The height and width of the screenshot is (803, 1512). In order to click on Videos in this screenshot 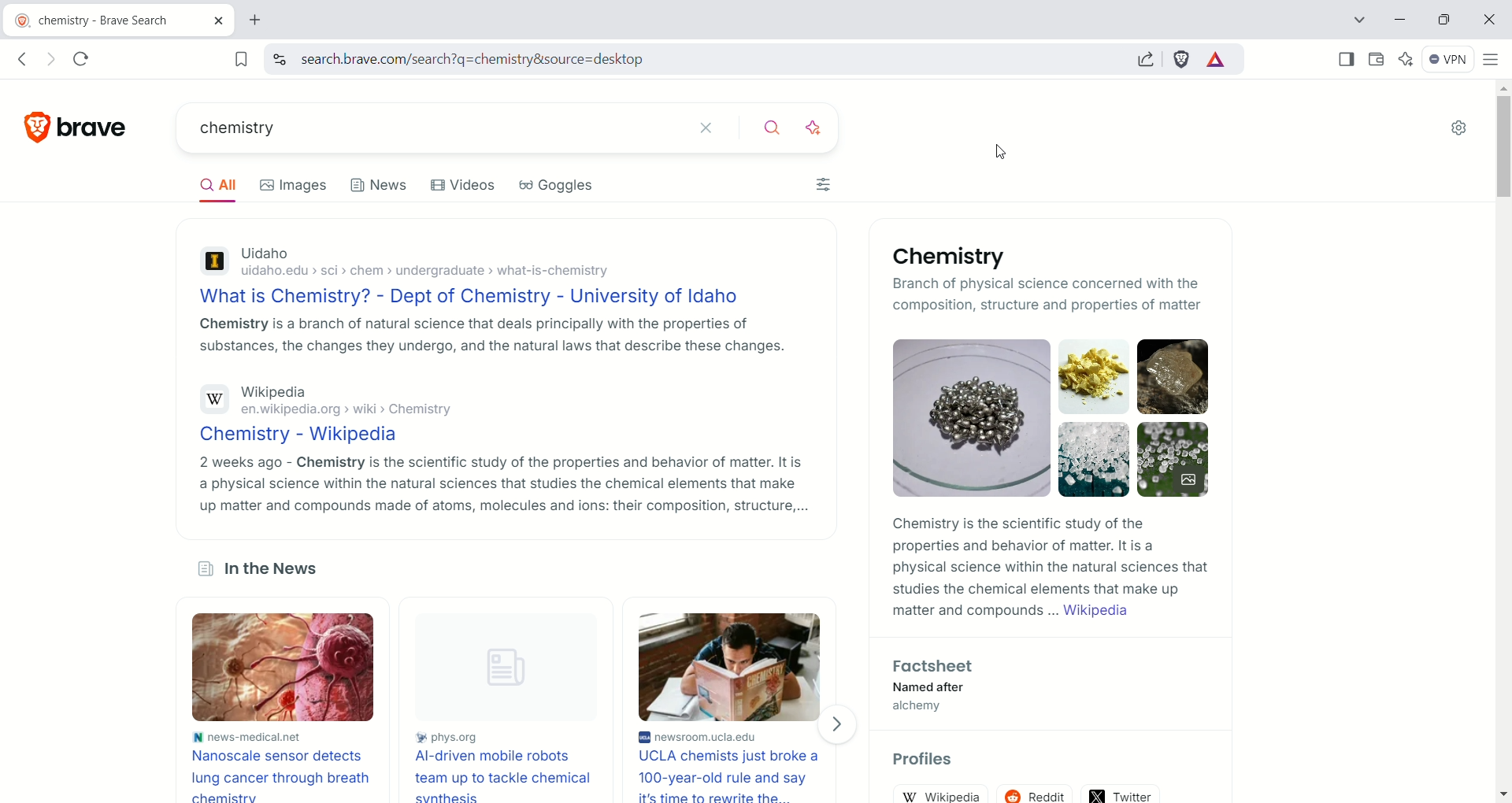, I will do `click(467, 184)`.